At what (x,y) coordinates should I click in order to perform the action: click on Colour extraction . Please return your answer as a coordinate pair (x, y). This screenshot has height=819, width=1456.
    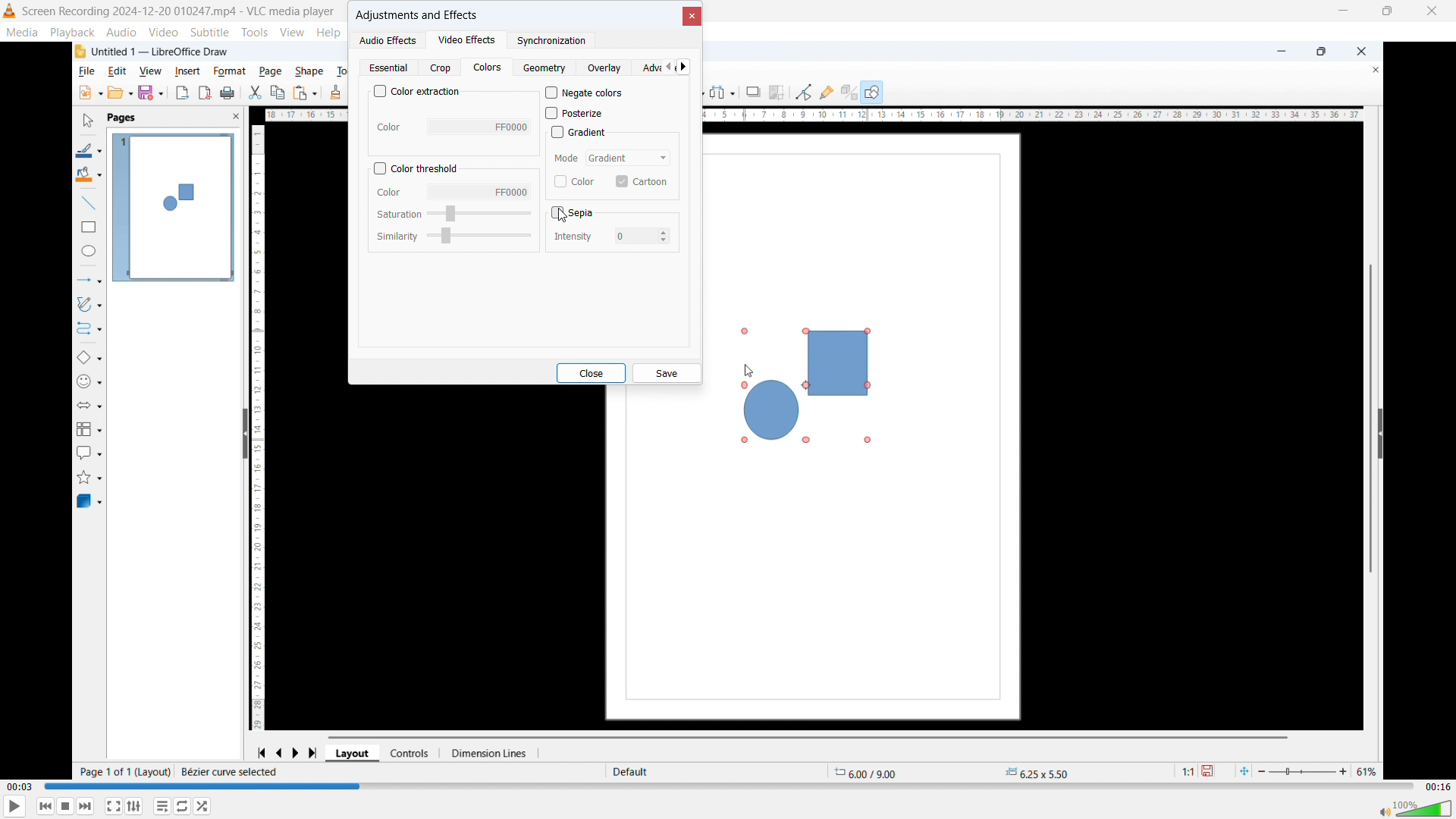
    Looking at the image, I should click on (417, 91).